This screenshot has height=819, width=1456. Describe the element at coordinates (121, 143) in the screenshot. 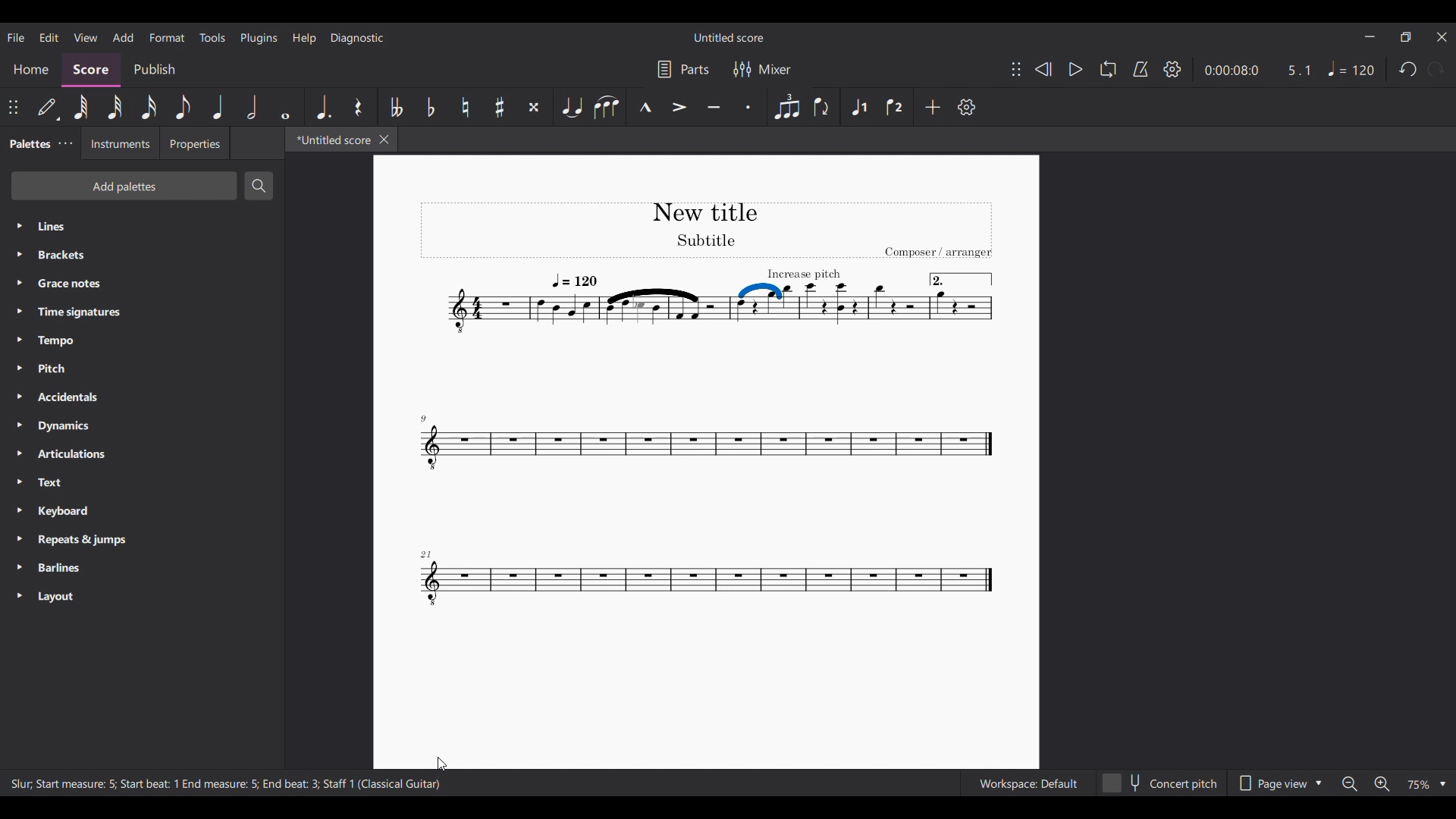

I see `Instruments` at that location.